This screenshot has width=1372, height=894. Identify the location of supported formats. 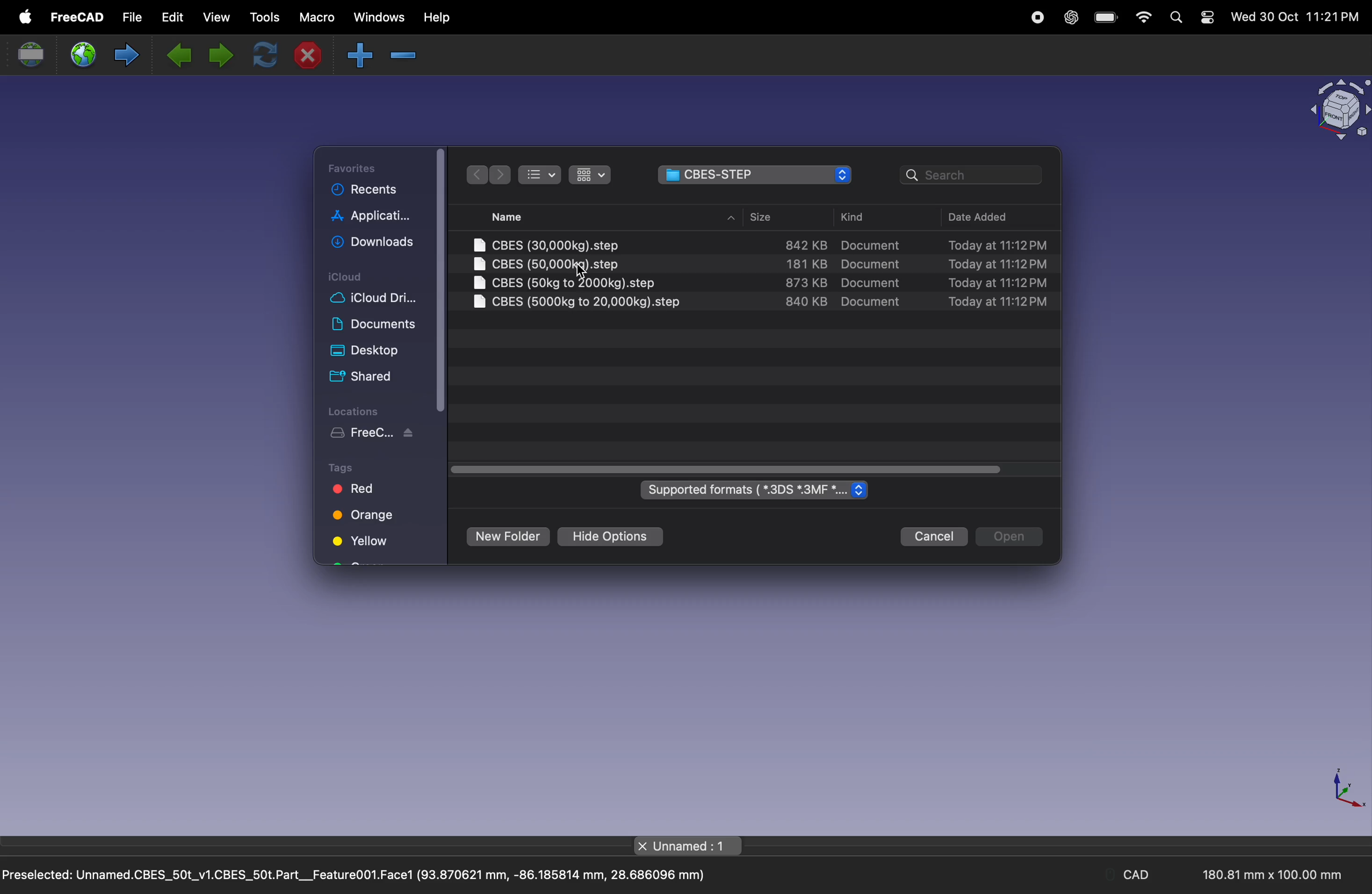
(756, 492).